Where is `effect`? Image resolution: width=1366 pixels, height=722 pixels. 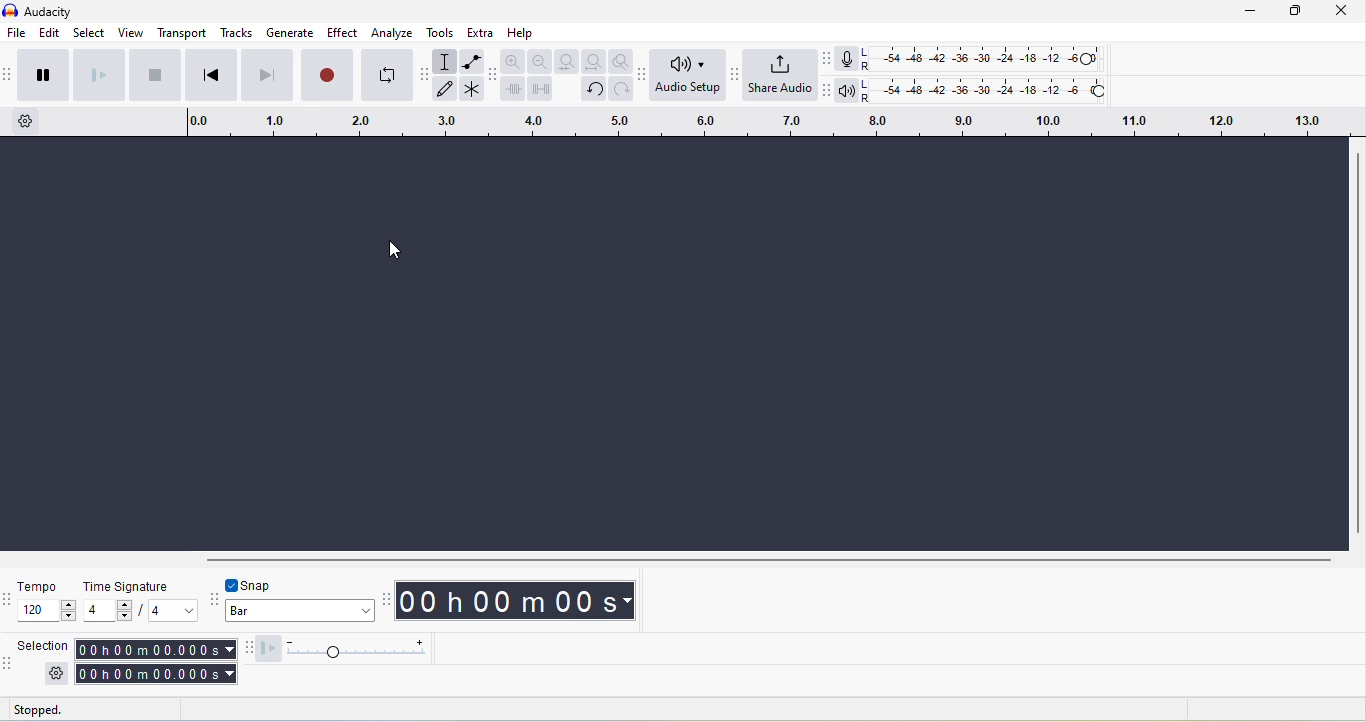 effect is located at coordinates (343, 34).